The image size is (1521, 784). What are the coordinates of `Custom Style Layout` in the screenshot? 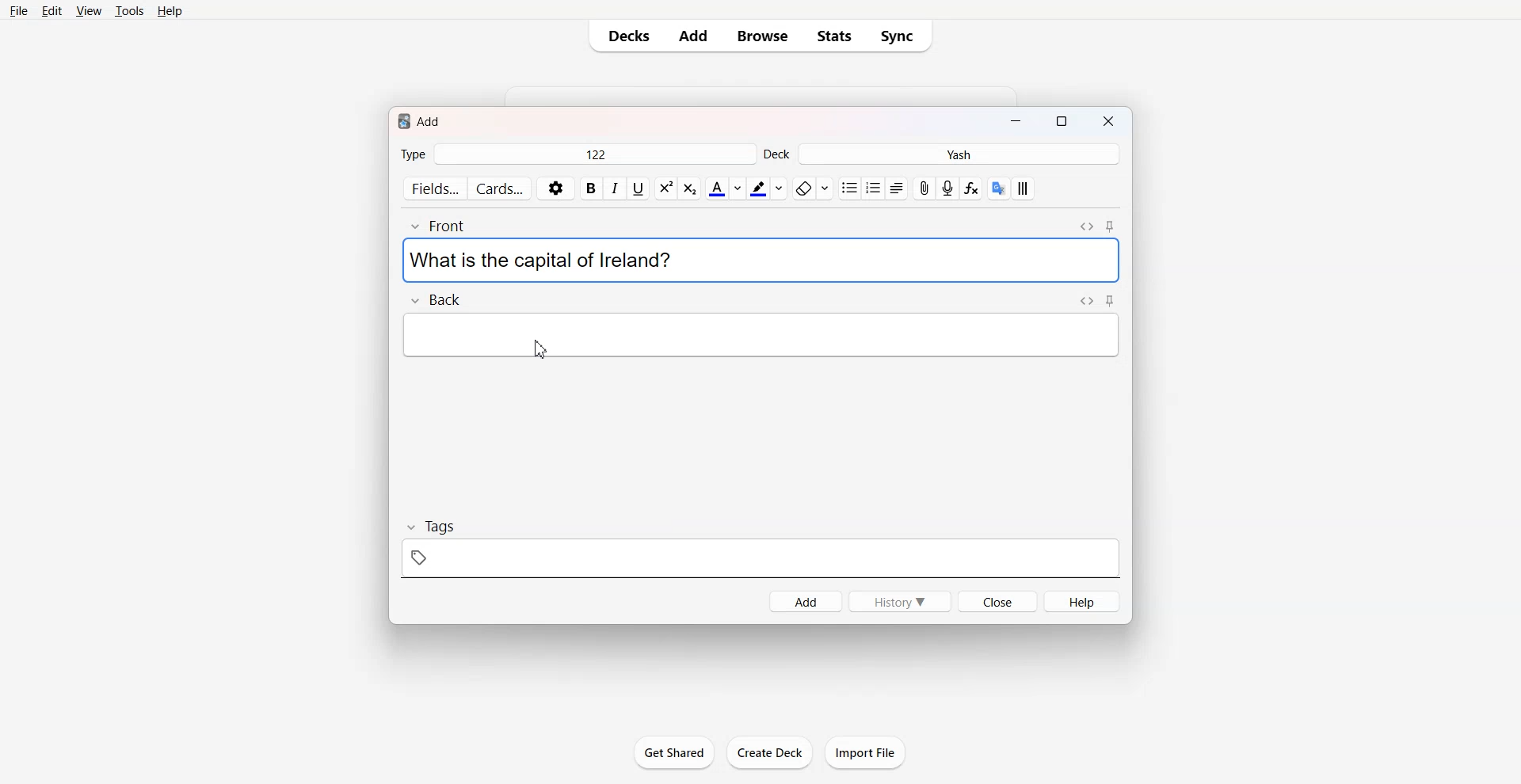 It's located at (1024, 188).